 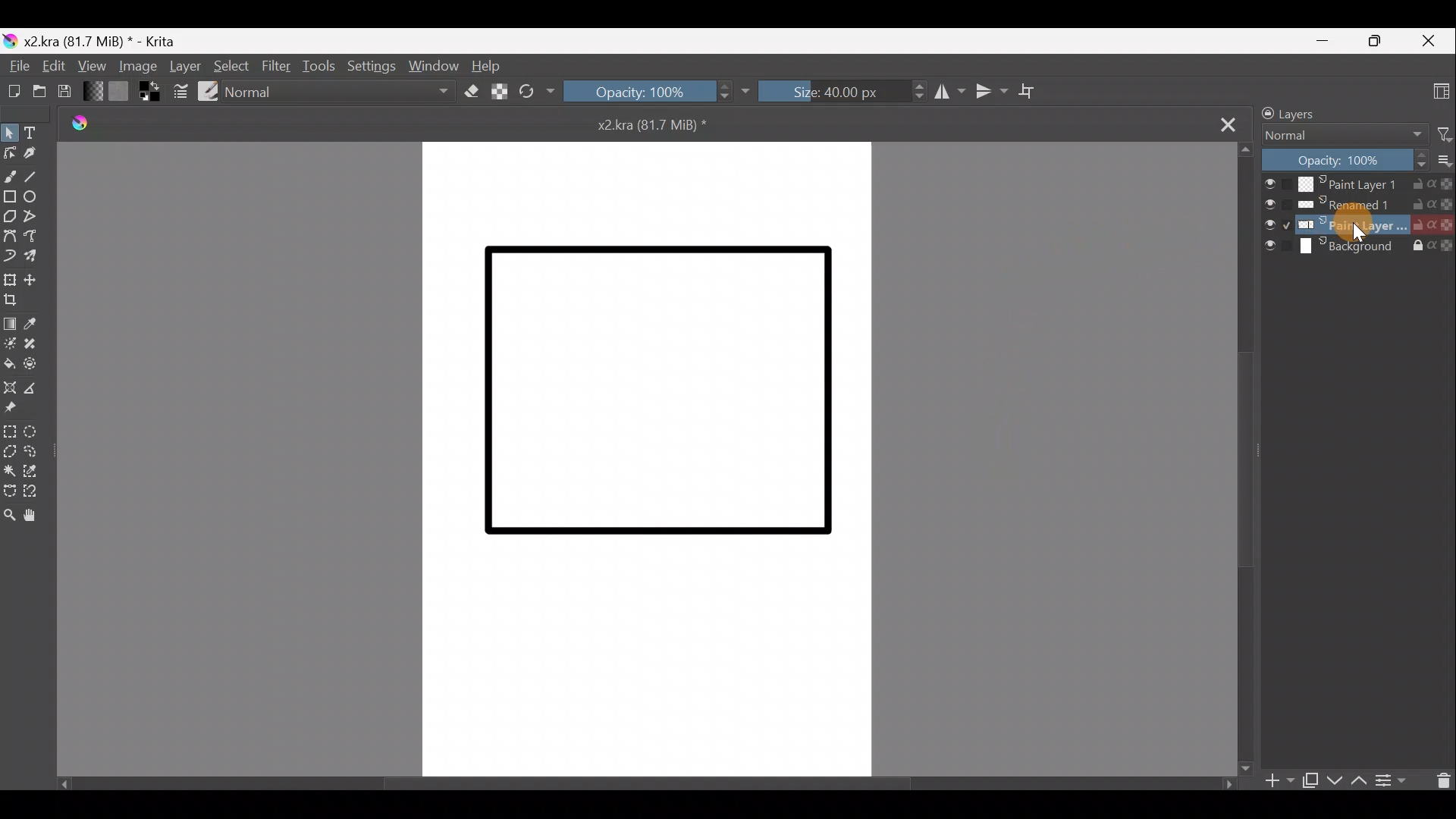 What do you see at coordinates (39, 344) in the screenshot?
I see `Smart patch tool` at bounding box center [39, 344].